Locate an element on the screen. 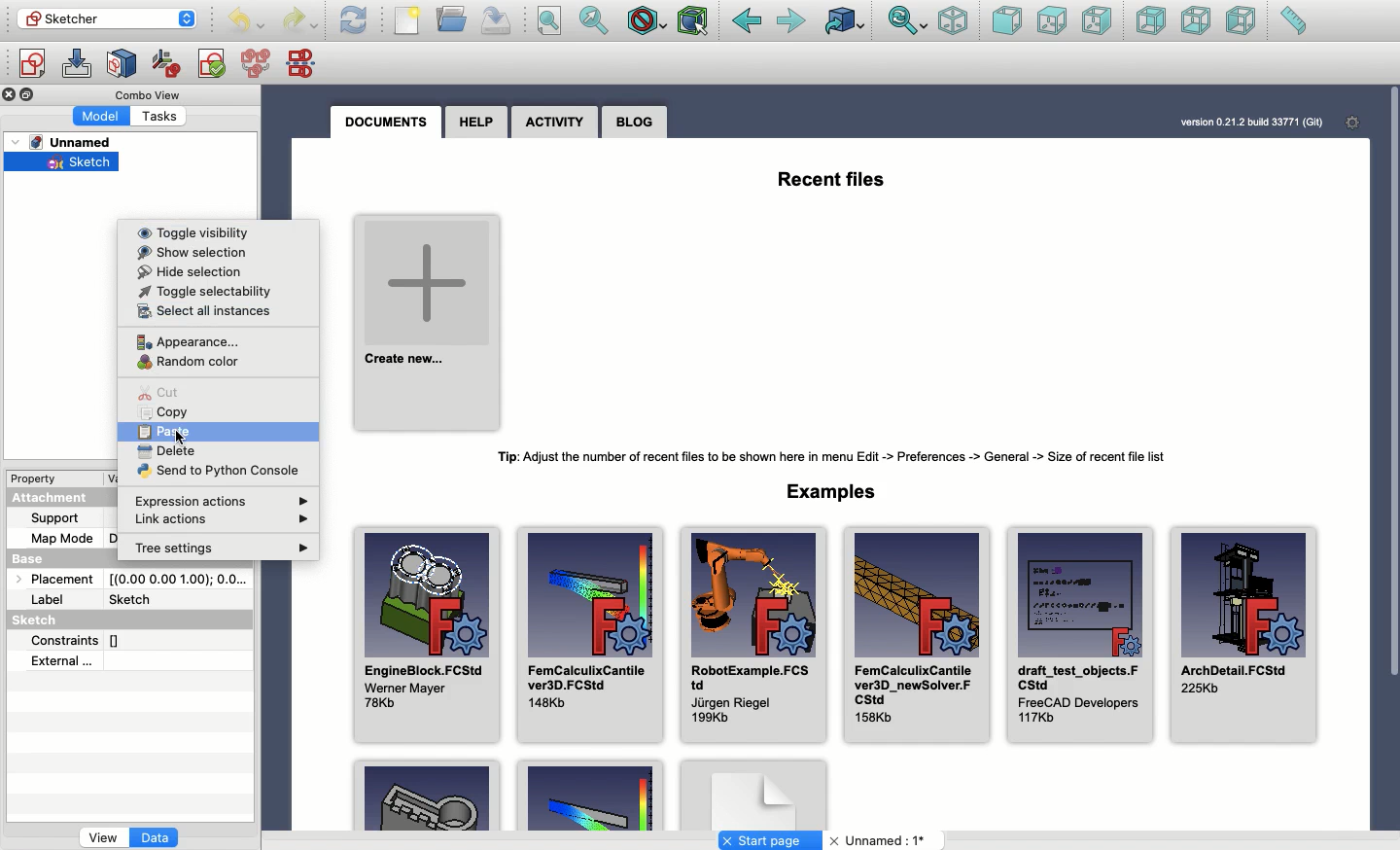 The image size is (1400, 850). Key Object is located at coordinates (427, 794).